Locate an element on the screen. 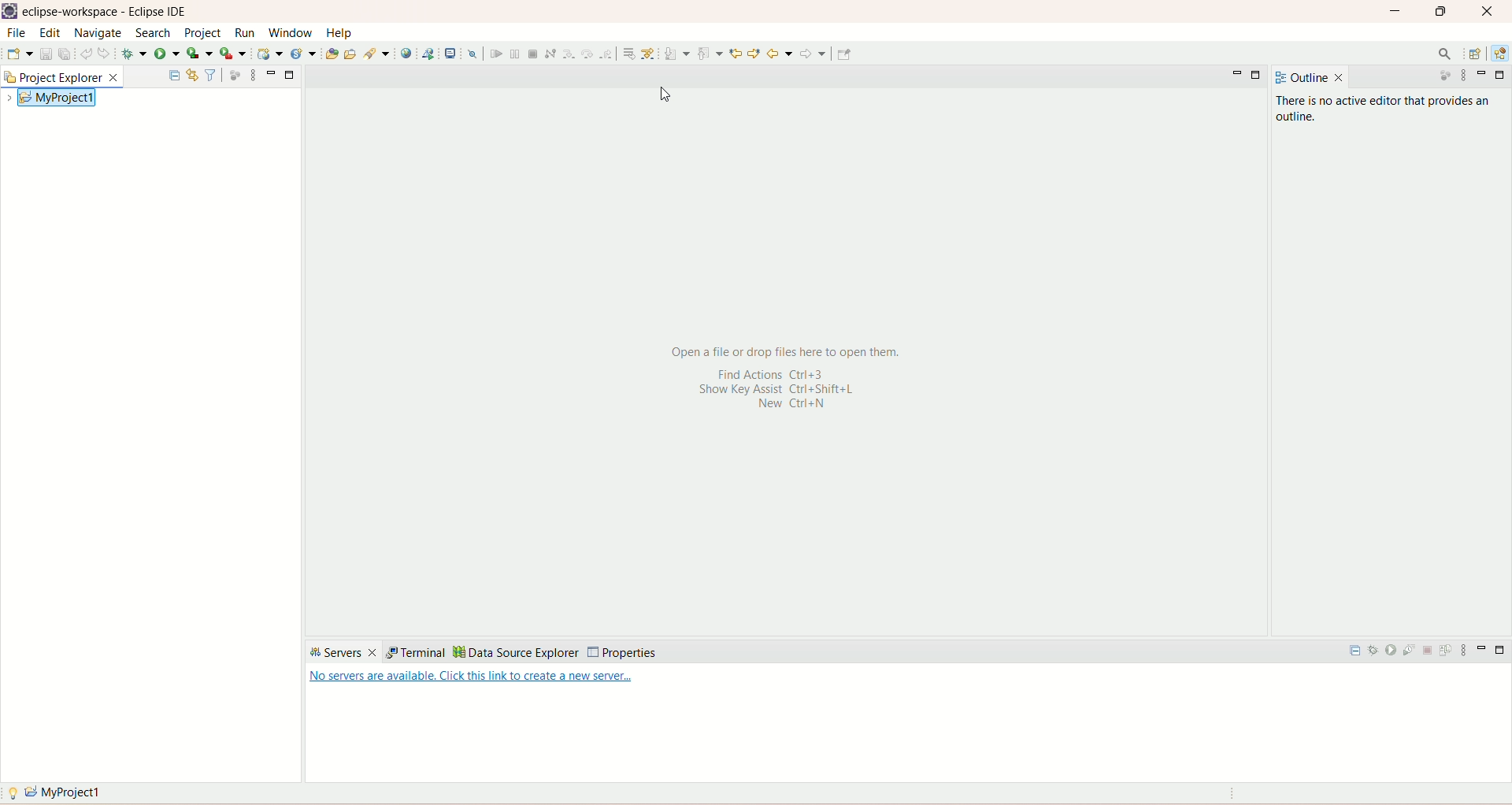 Image resolution: width=1512 pixels, height=805 pixels. suspend is located at coordinates (513, 54).